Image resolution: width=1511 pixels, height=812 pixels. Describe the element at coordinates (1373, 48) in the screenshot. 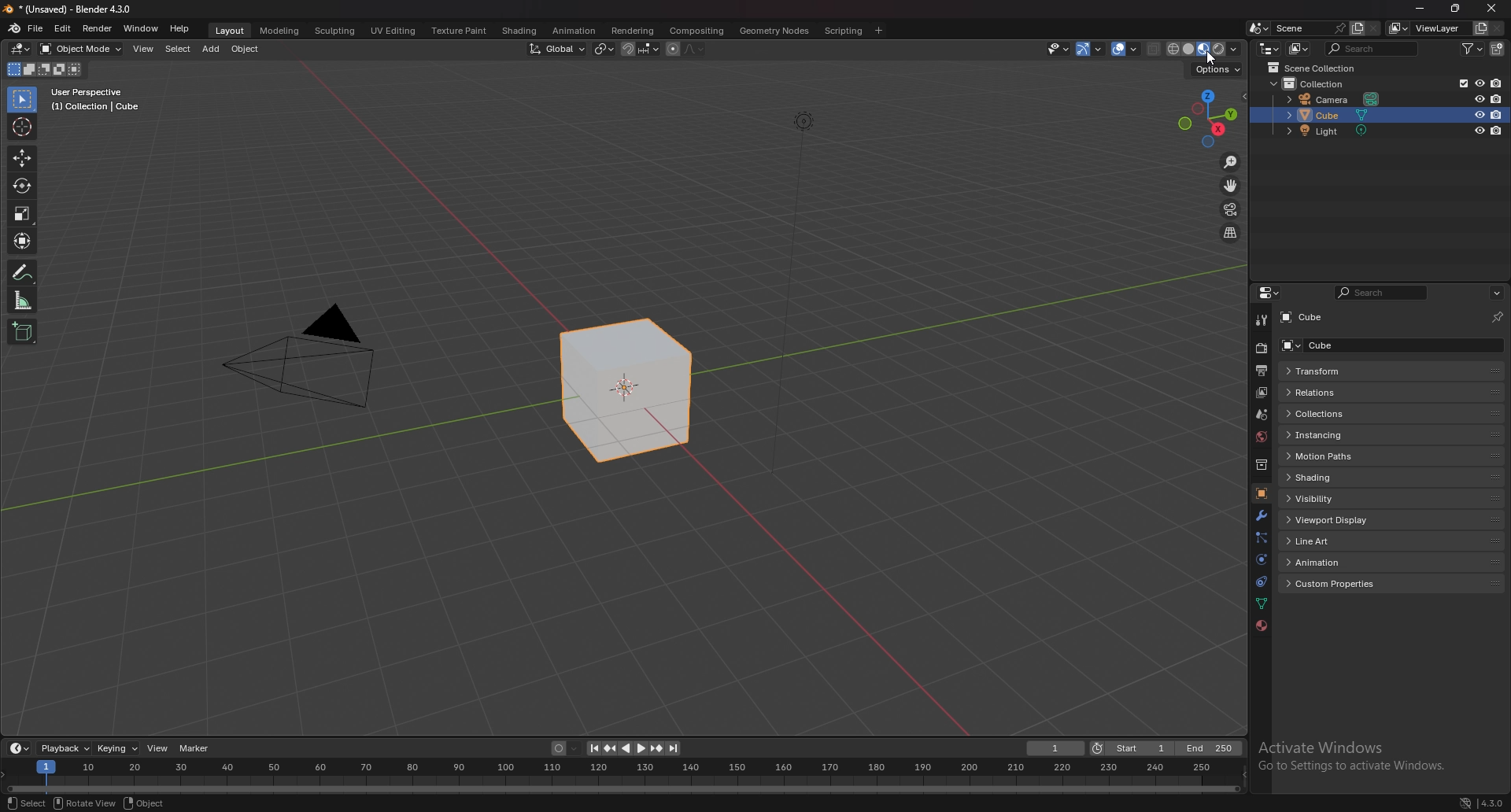

I see `search` at that location.